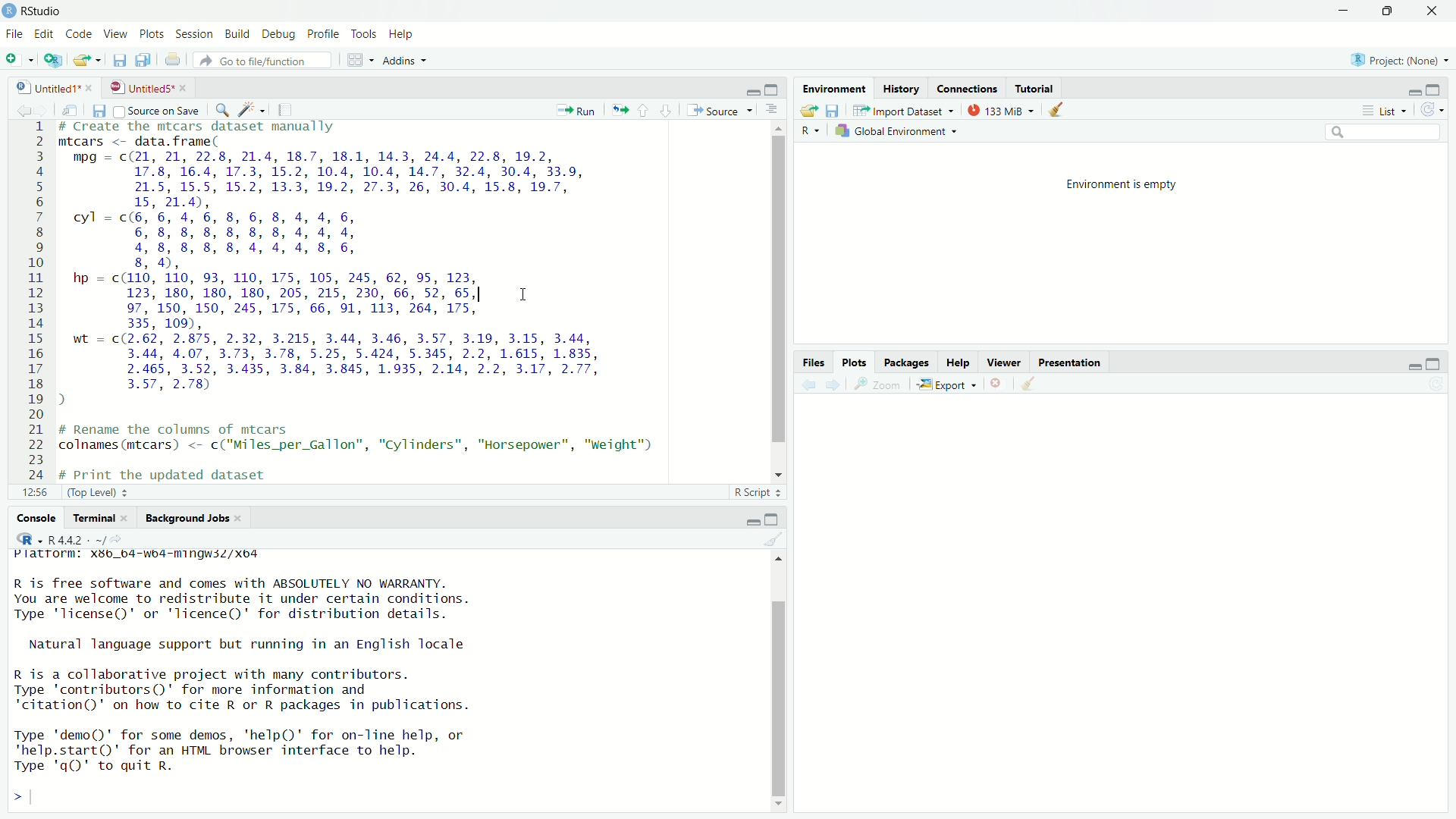 This screenshot has width=1456, height=819. What do you see at coordinates (967, 89) in the screenshot?
I see `Connections` at bounding box center [967, 89].